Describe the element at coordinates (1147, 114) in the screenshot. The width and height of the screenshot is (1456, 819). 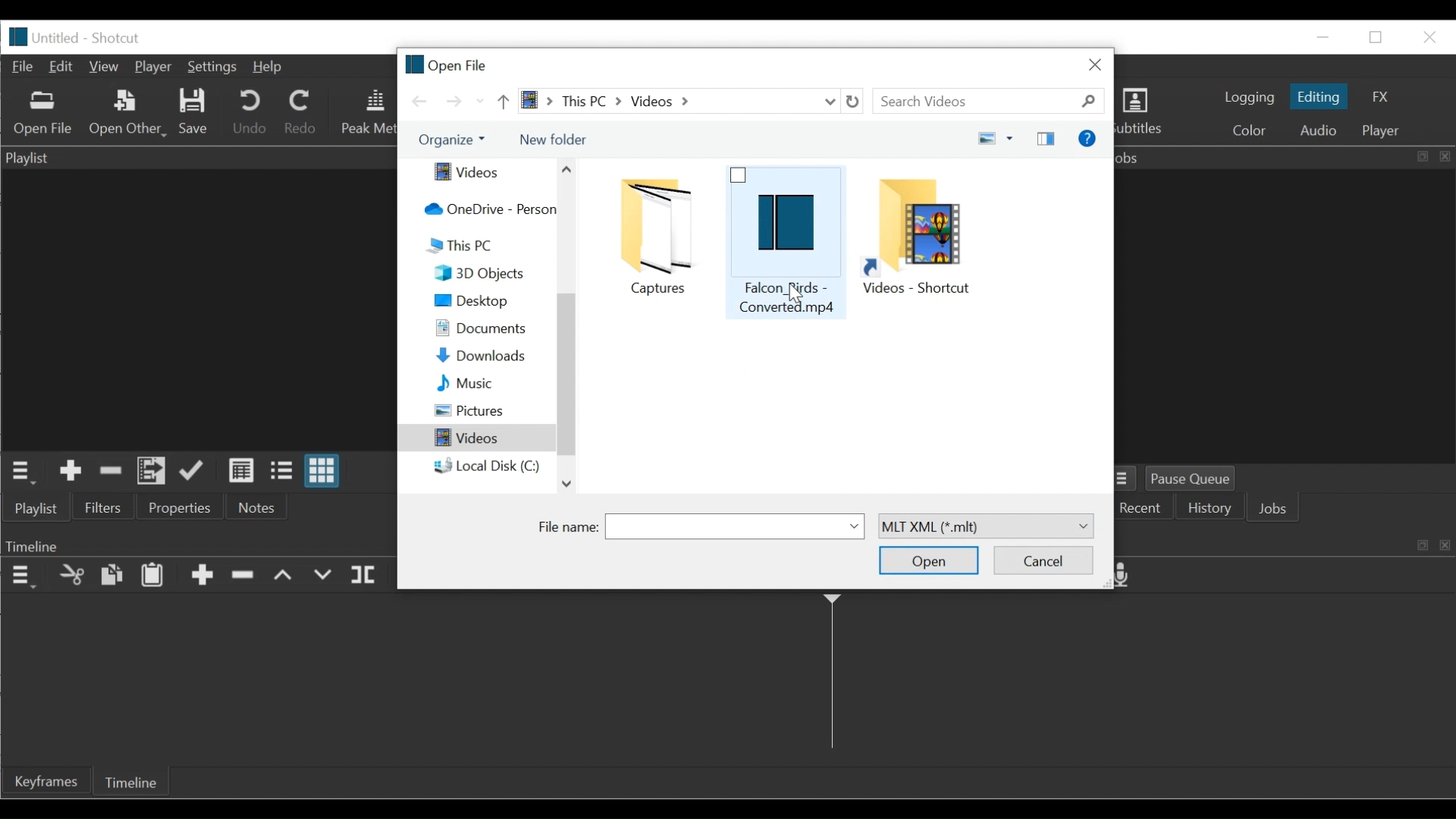
I see `Subtitles` at that location.